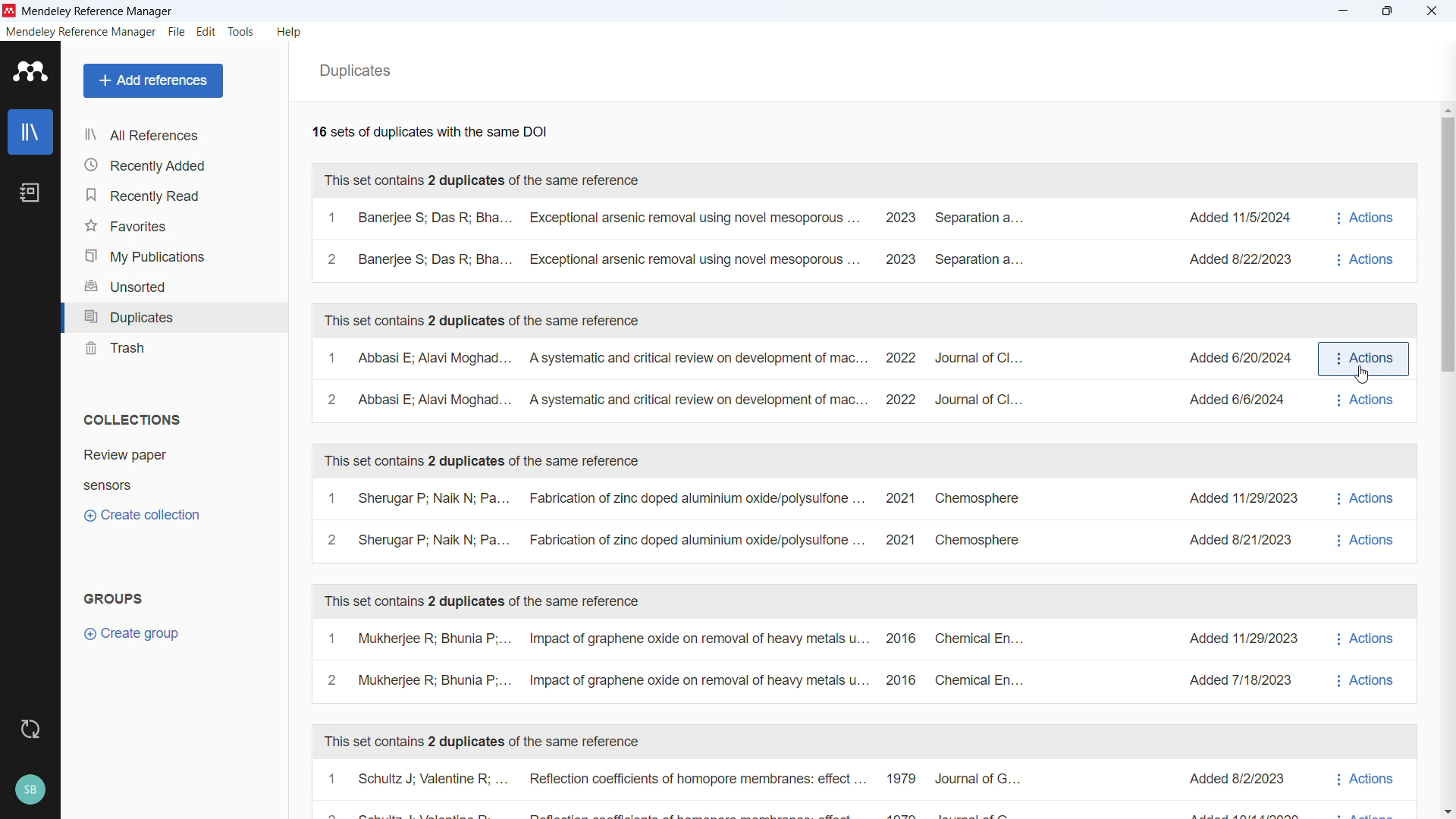  I want to click on profile, so click(29, 789).